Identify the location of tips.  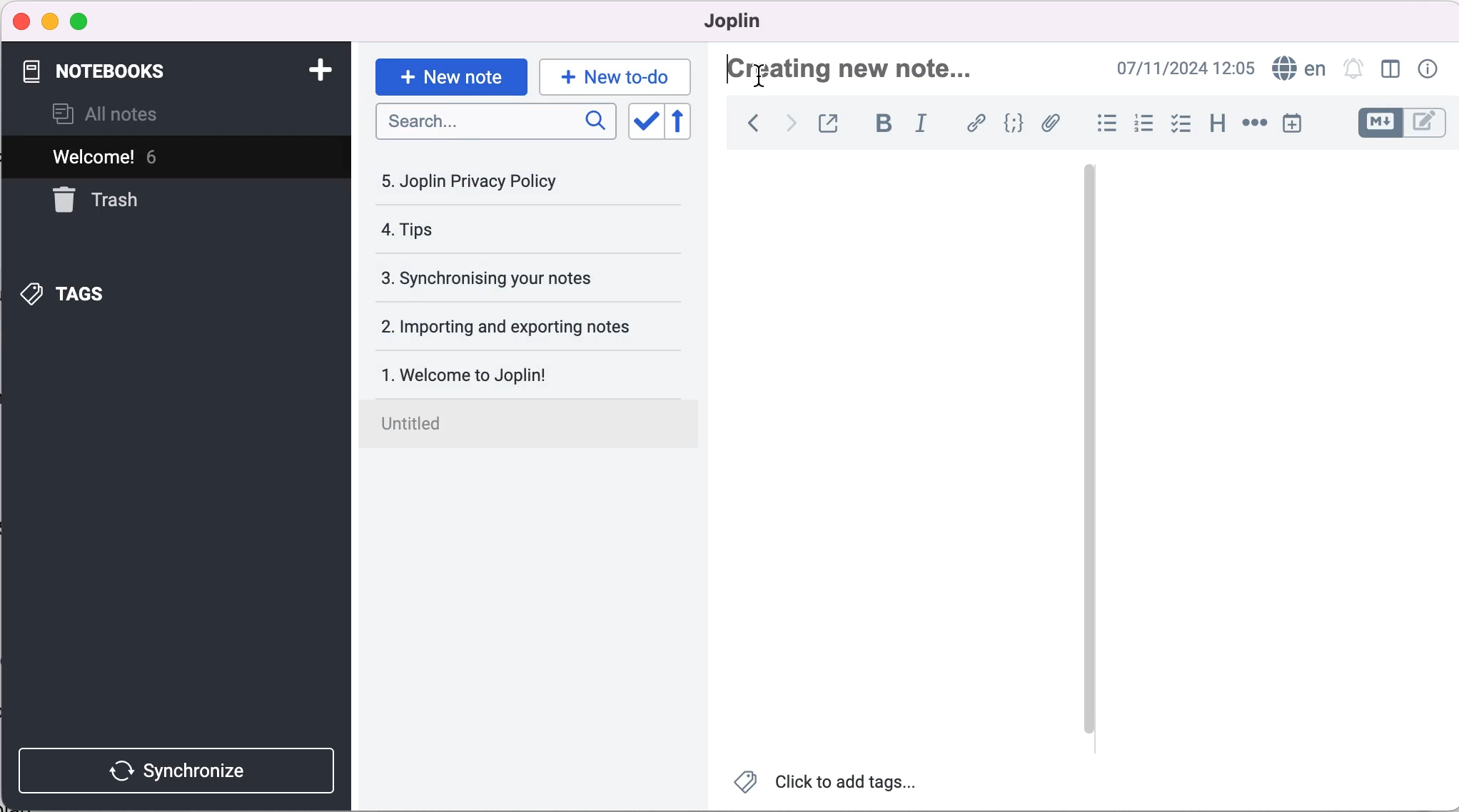
(468, 230).